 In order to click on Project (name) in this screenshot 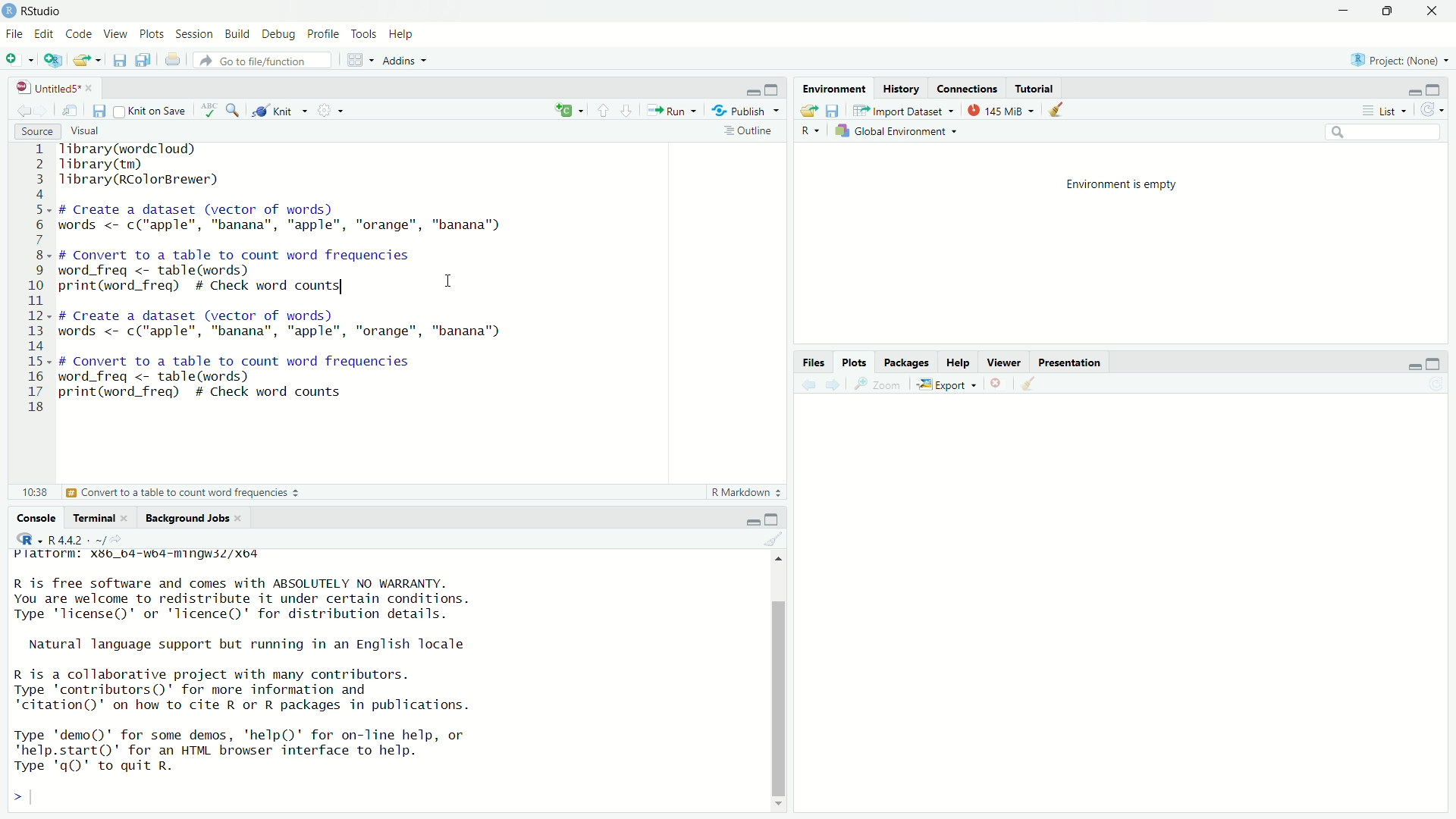, I will do `click(1403, 61)`.